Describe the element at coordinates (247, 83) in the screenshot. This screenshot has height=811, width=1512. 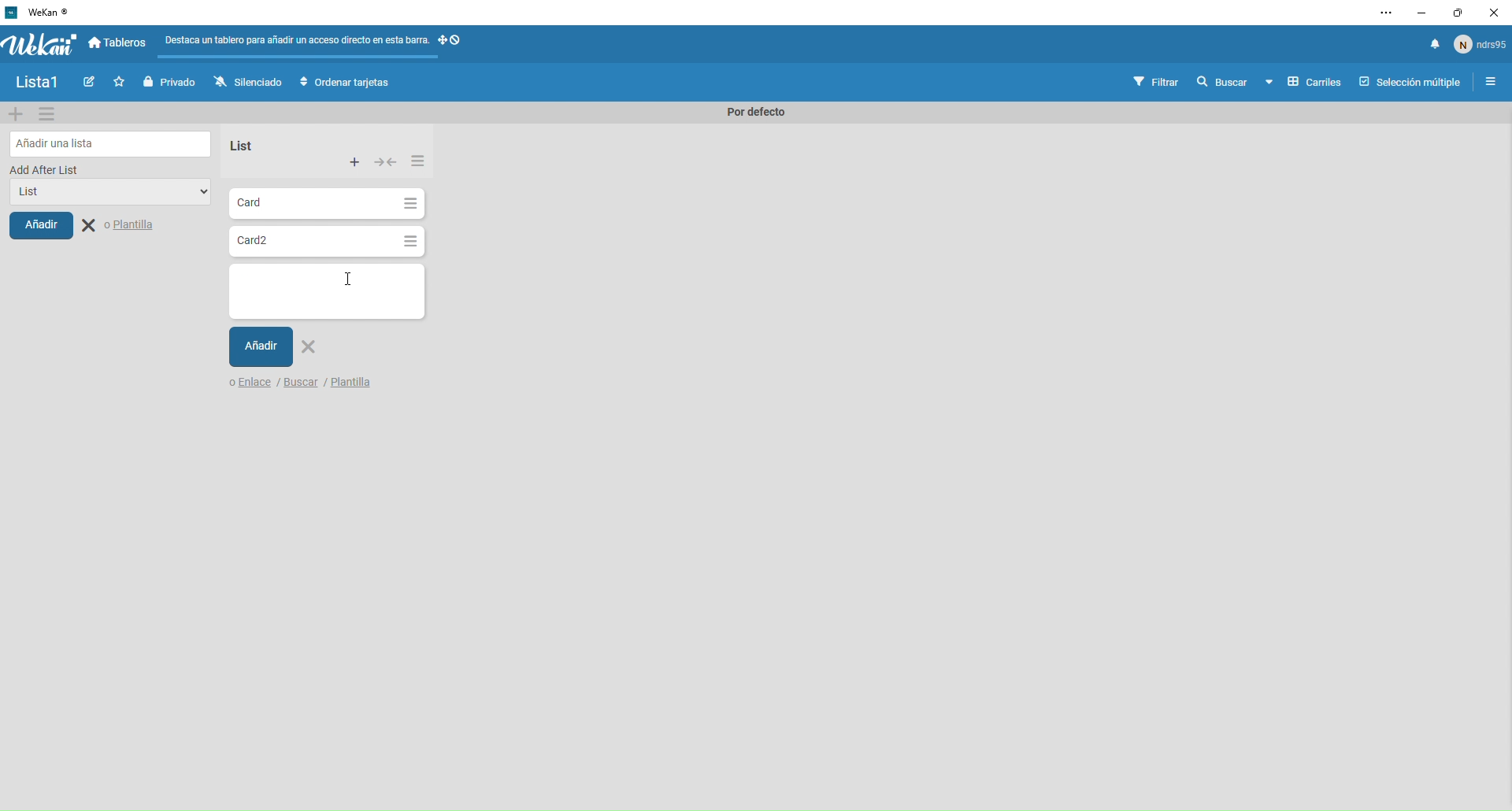
I see `Silence` at that location.